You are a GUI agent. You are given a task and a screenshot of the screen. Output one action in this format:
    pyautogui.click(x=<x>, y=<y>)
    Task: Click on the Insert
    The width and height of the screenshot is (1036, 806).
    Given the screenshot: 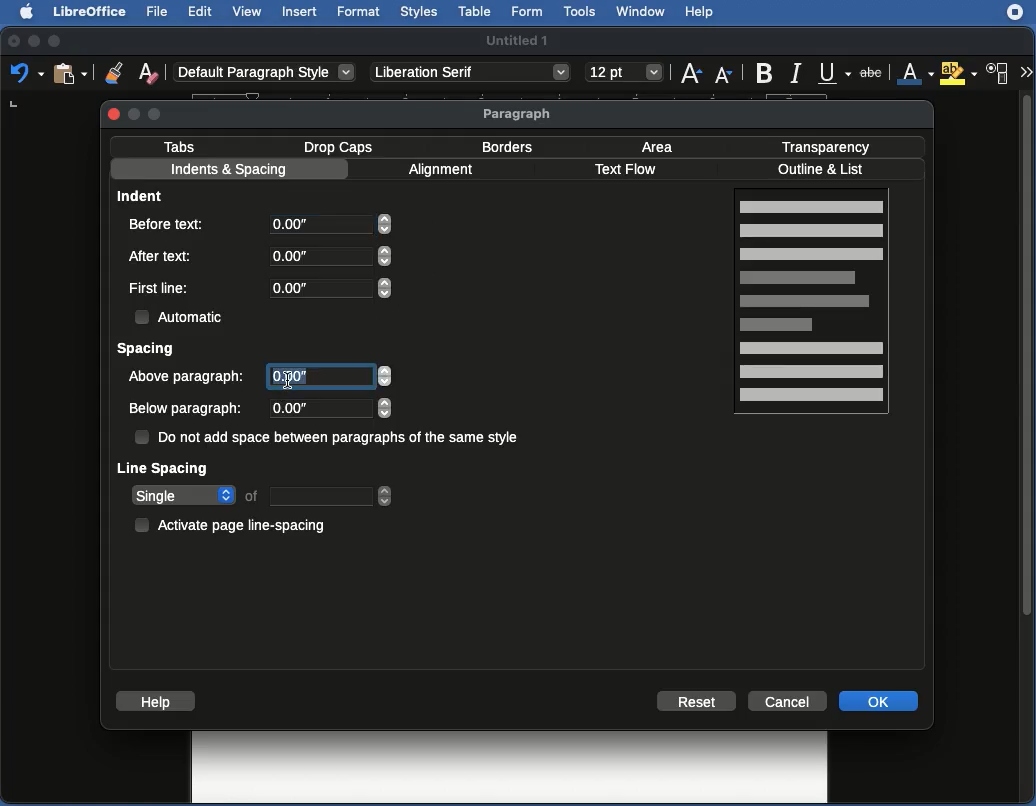 What is the action you would take?
    pyautogui.click(x=299, y=11)
    